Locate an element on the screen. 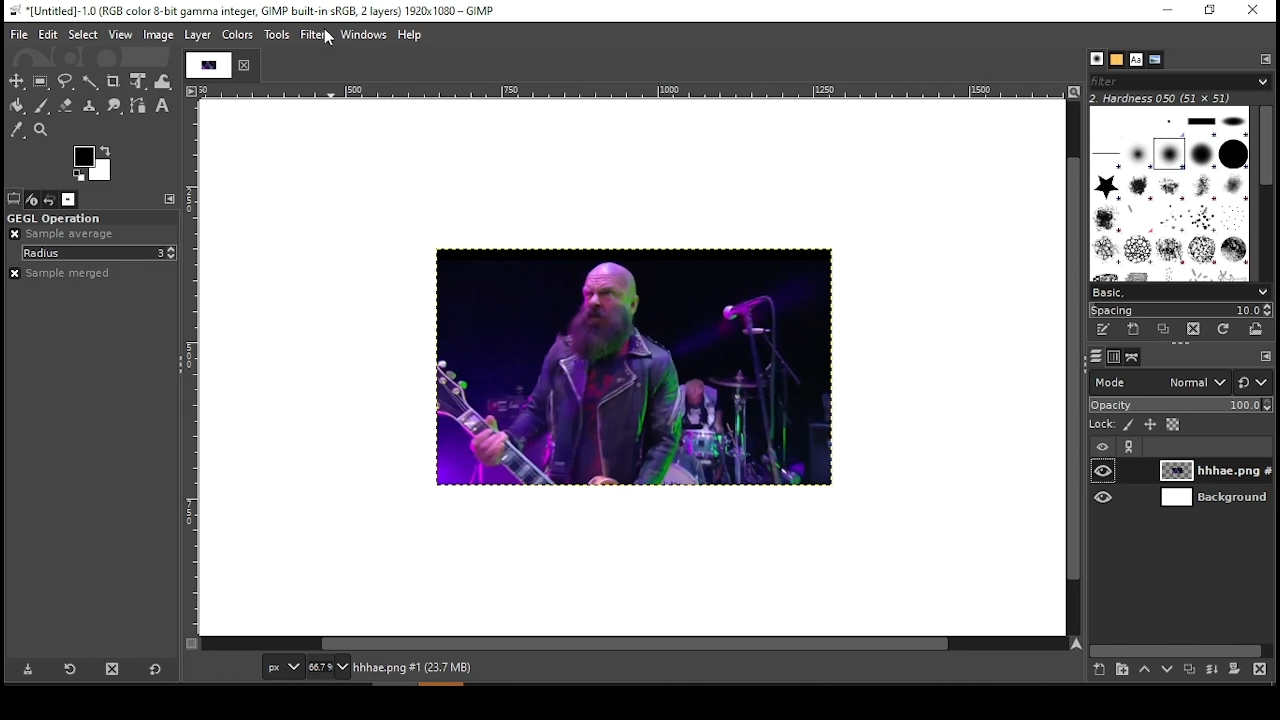 The height and width of the screenshot is (720, 1280). vertical scale is located at coordinates (191, 370).